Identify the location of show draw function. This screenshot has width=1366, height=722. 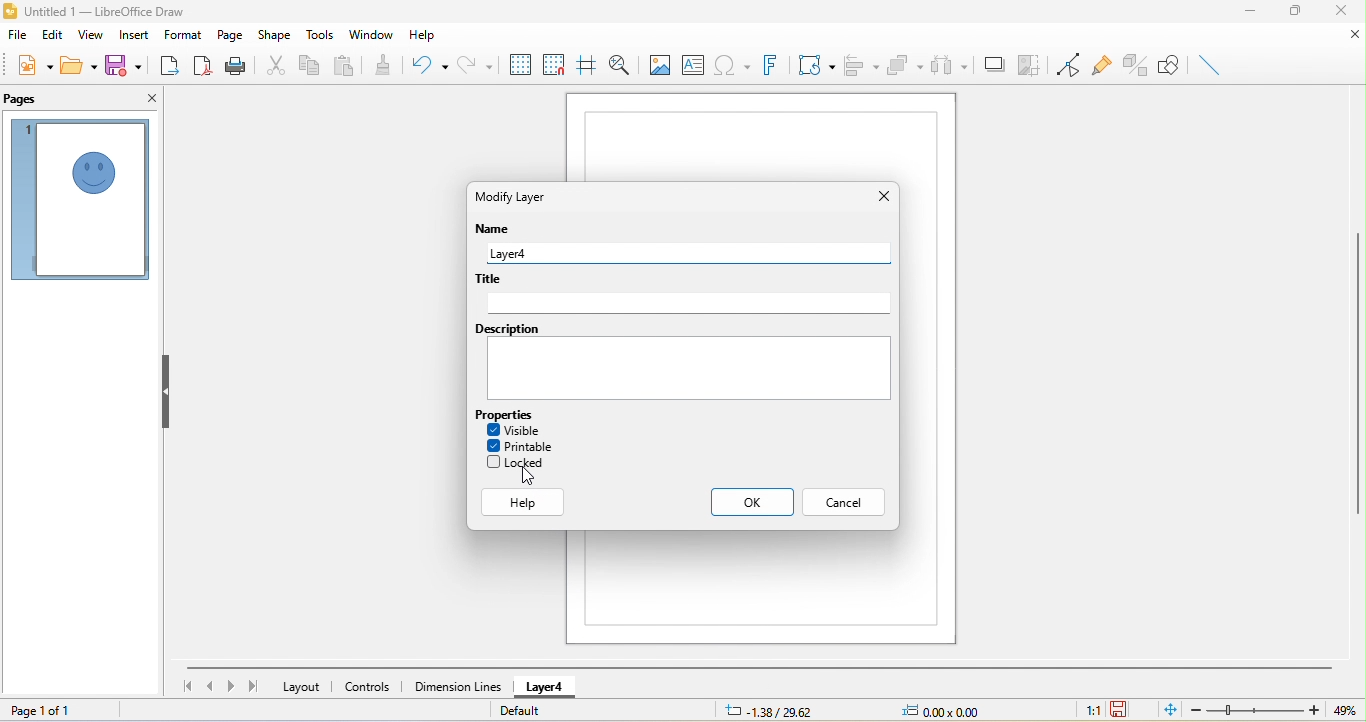
(1167, 65).